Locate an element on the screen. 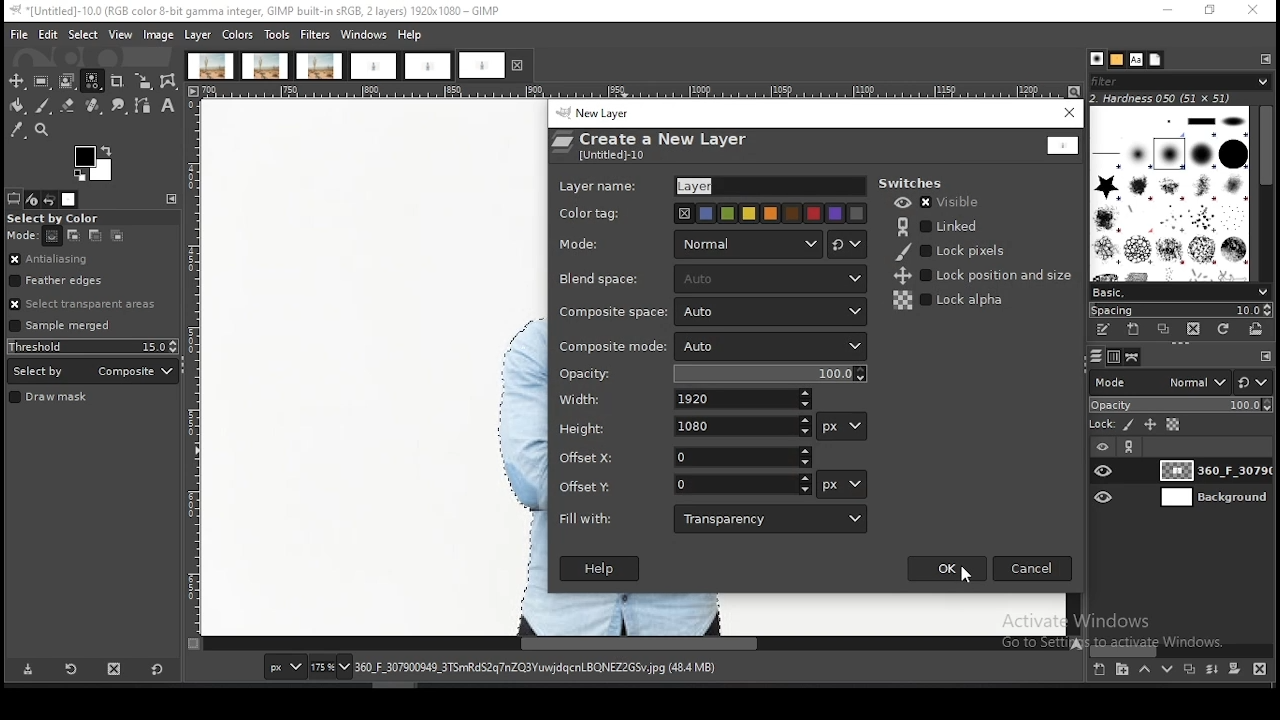 Image resolution: width=1280 pixels, height=720 pixels. 360_F_307900949_3TSmRdS2q7nZQ3YuwjdqcnLBQNEZ2GSv.jpg (48.4 mb) is located at coordinates (536, 668).